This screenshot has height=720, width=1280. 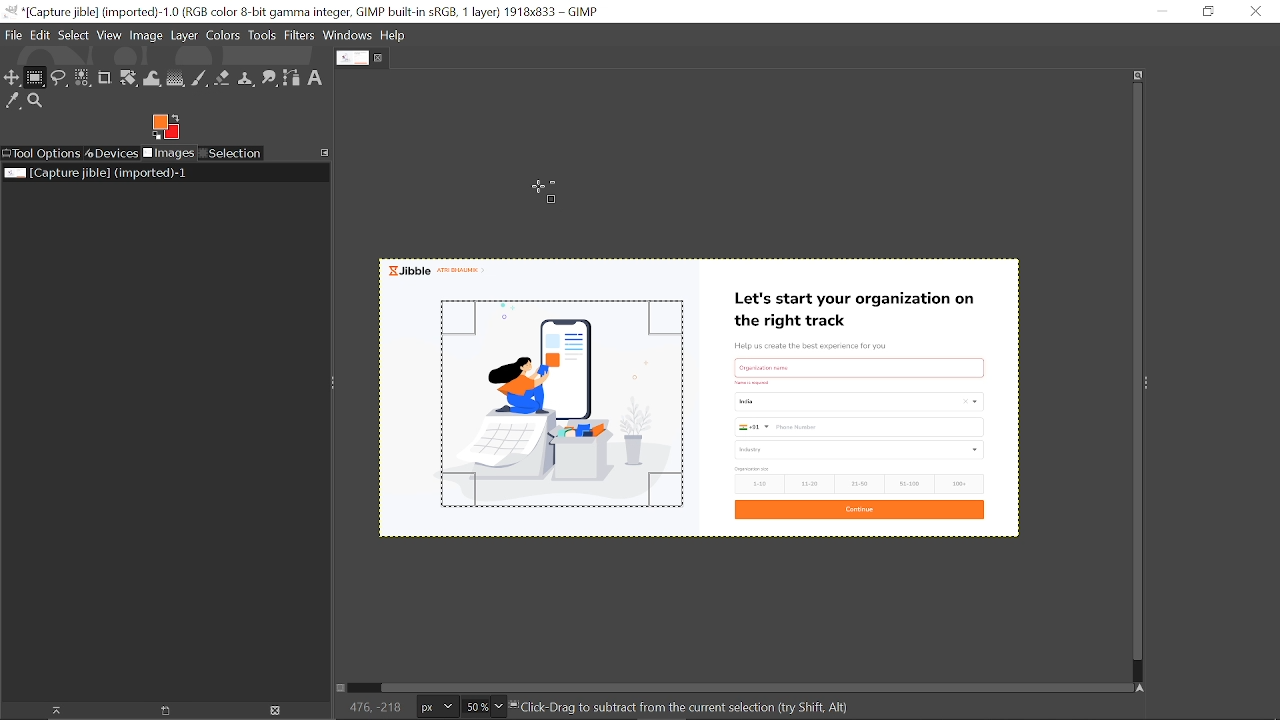 I want to click on Country, so click(x=857, y=404).